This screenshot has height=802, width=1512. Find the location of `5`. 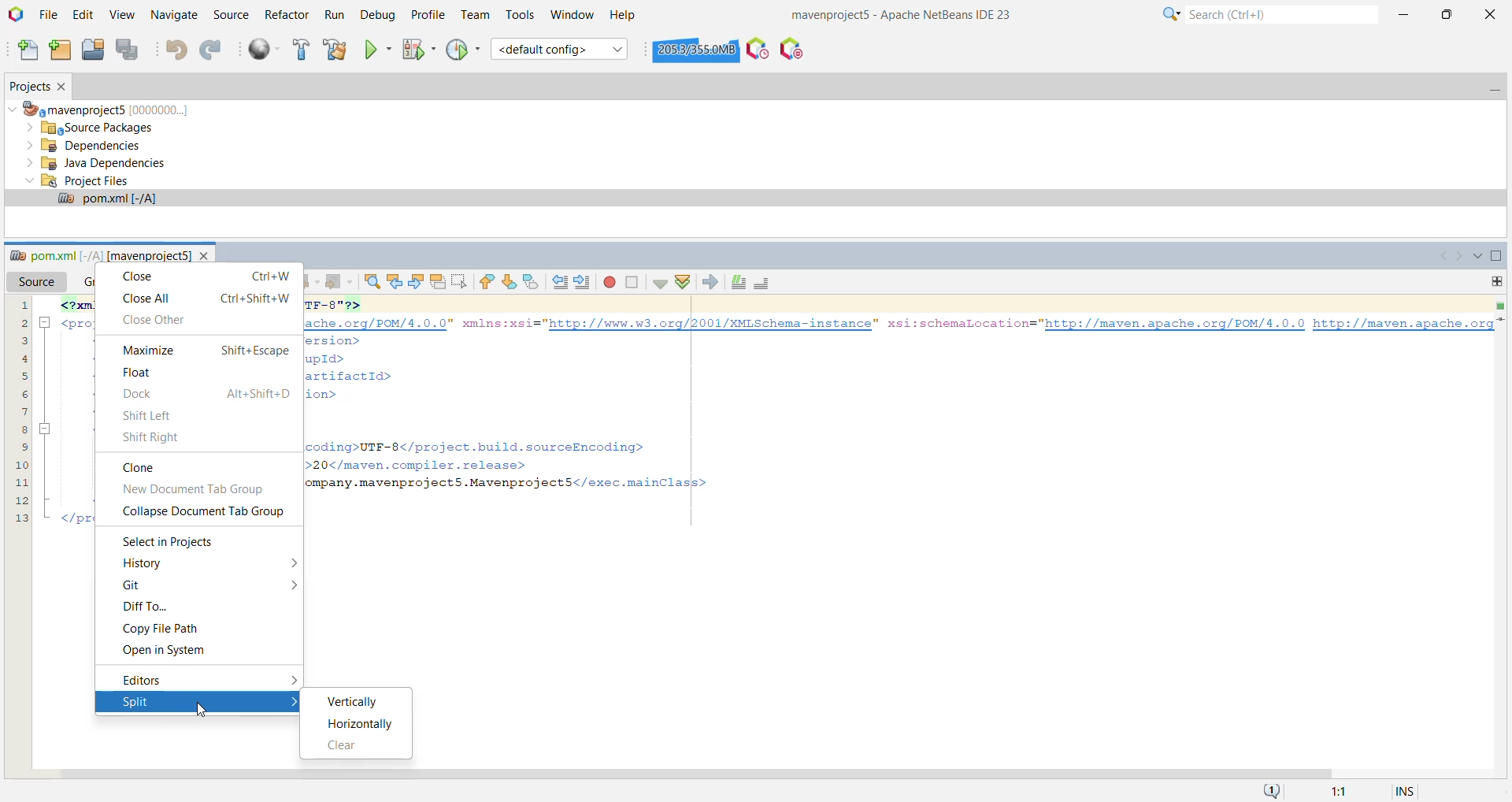

5 is located at coordinates (20, 375).